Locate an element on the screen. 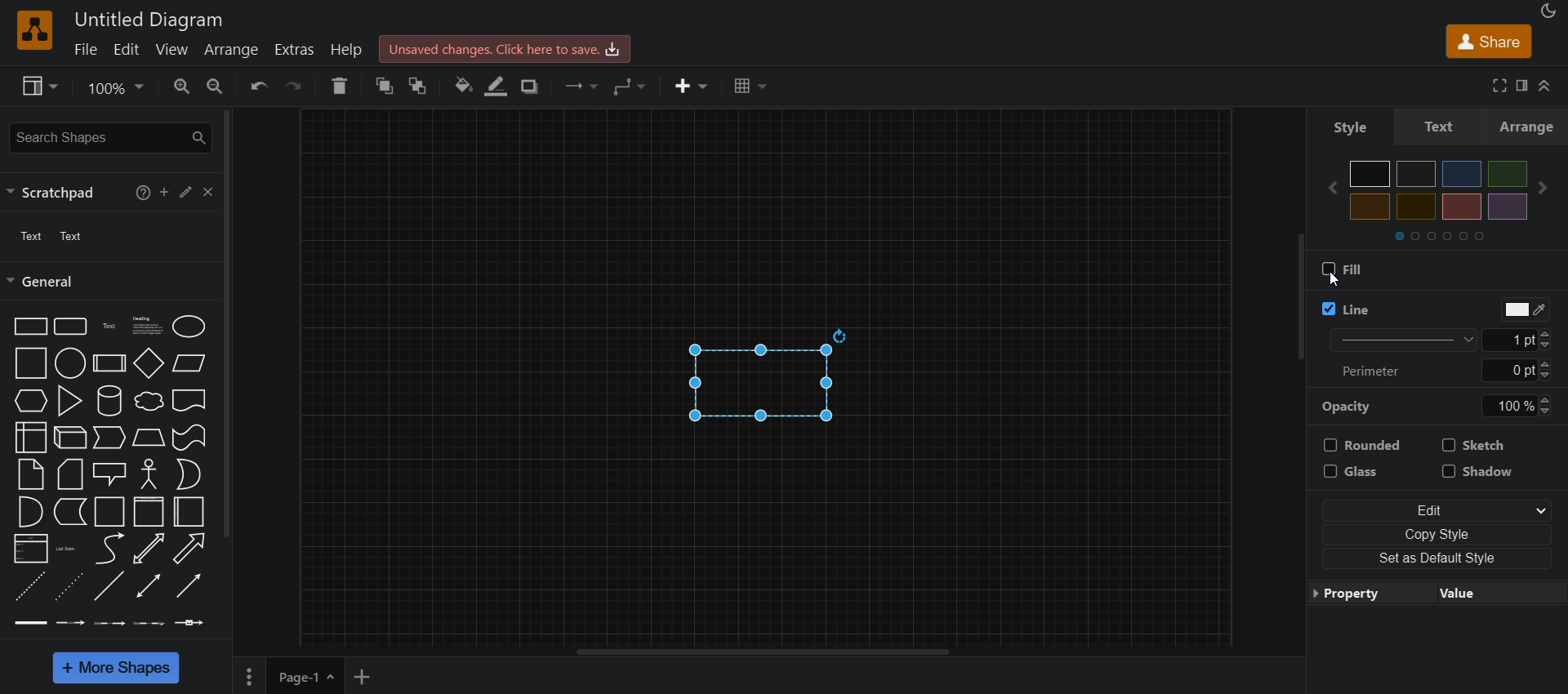 The image size is (1568, 694). container is located at coordinates (109, 512).